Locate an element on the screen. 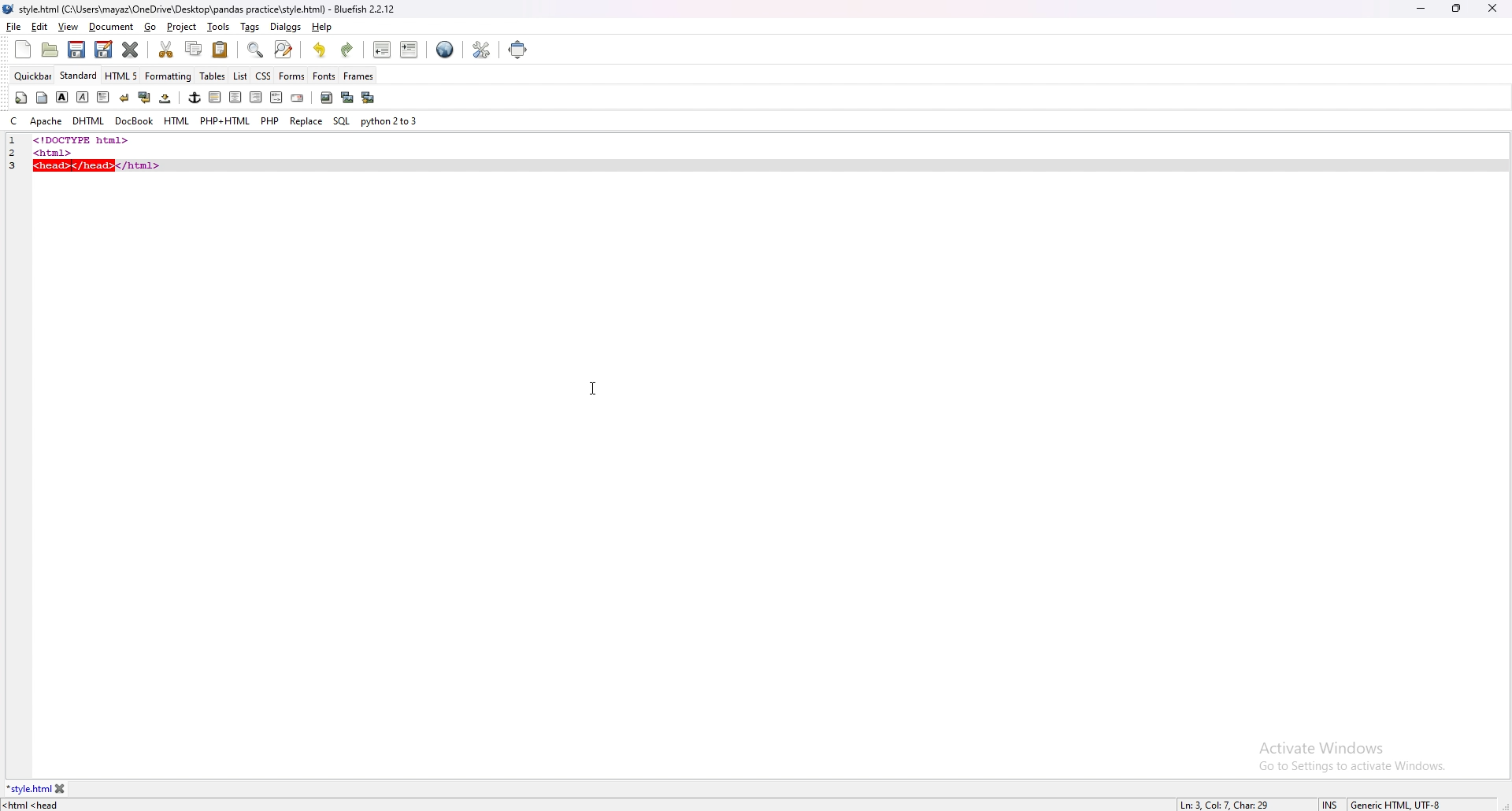 The width and height of the screenshot is (1512, 811). code is located at coordinates (128, 139).